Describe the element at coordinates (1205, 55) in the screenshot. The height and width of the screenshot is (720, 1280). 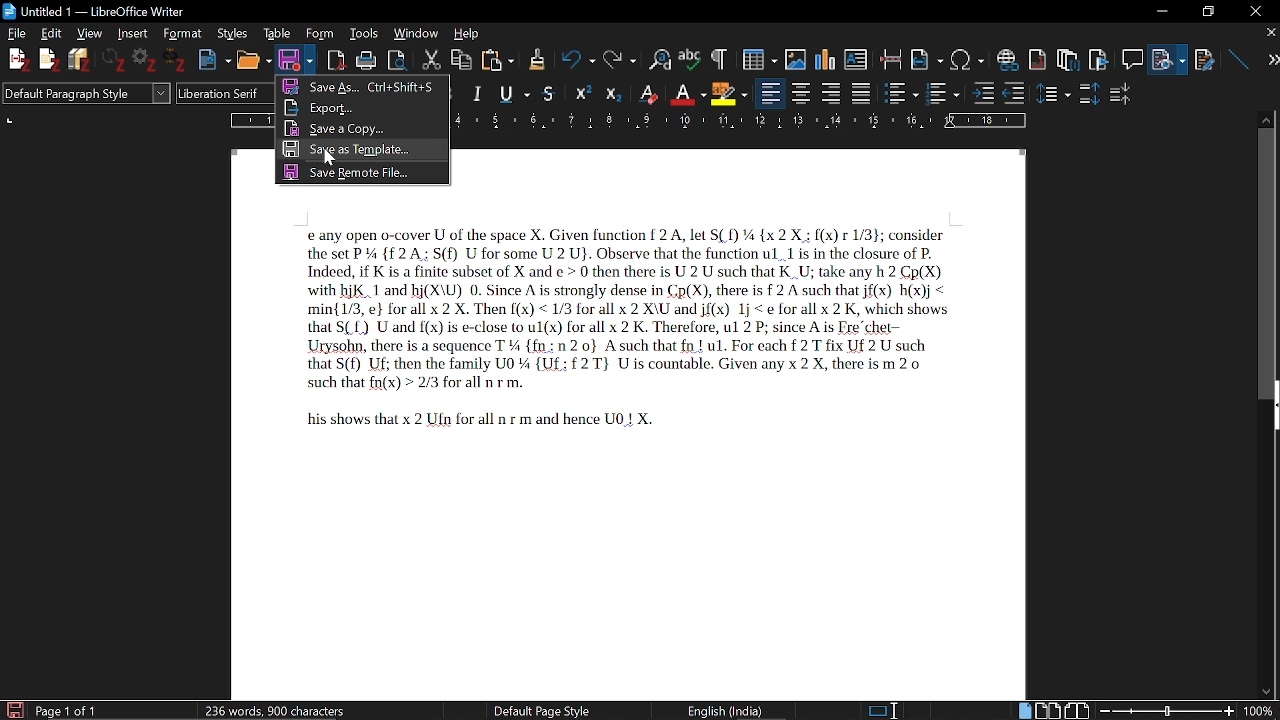
I see `Insert cross reference` at that location.